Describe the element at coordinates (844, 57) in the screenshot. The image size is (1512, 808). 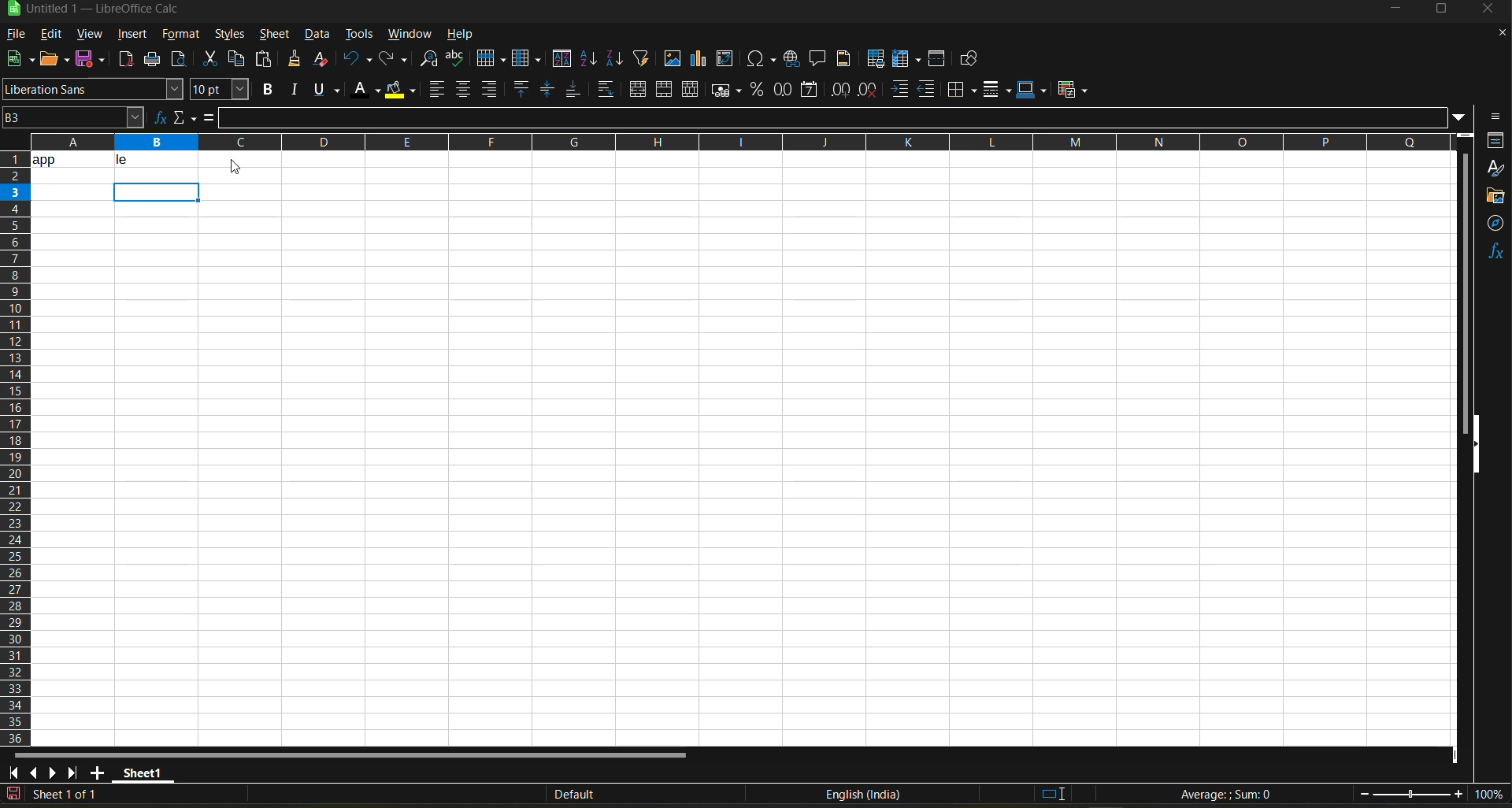
I see `headers and footers` at that location.